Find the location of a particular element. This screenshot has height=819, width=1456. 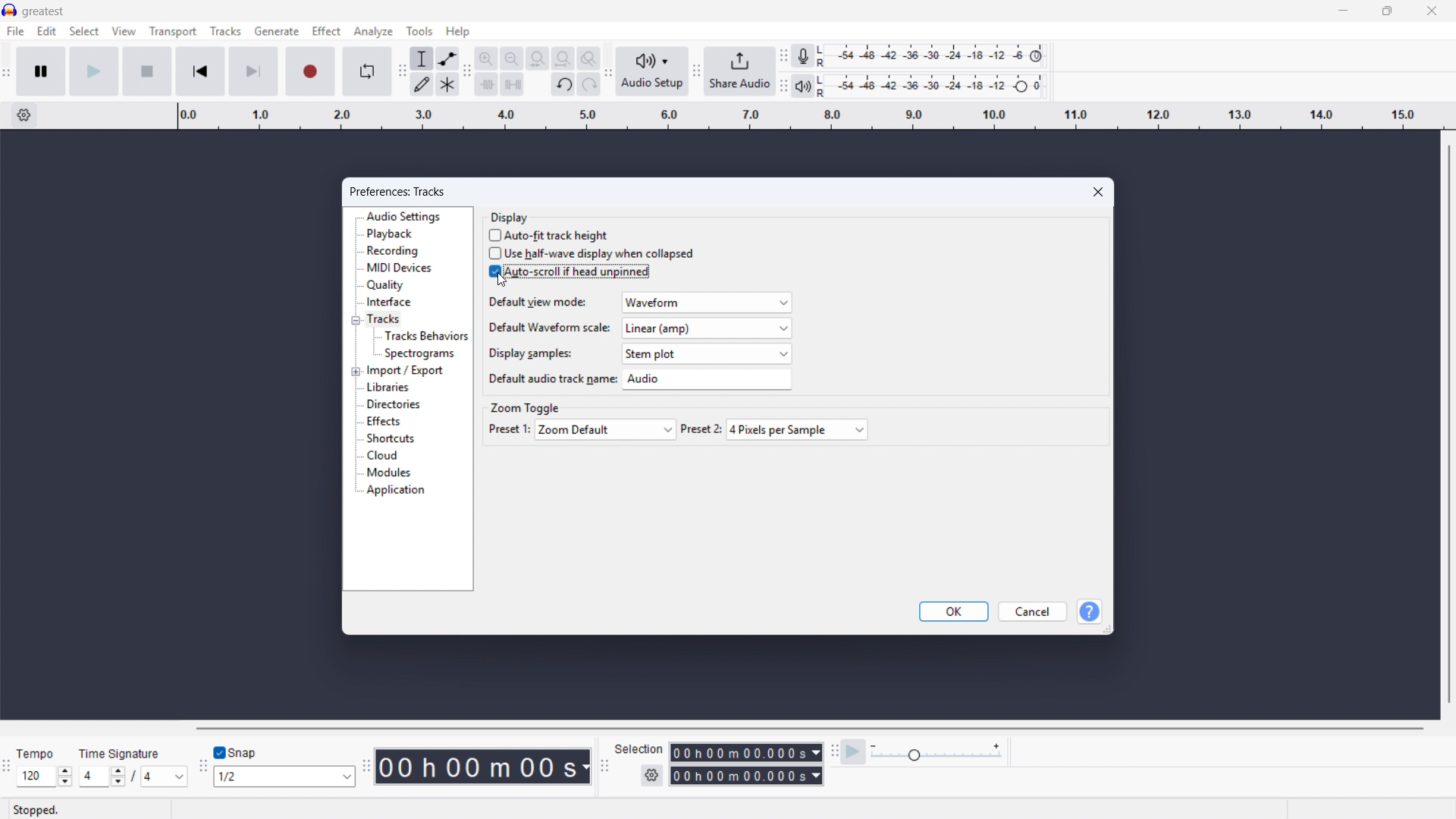

Audio setup toolbar  is located at coordinates (609, 72).